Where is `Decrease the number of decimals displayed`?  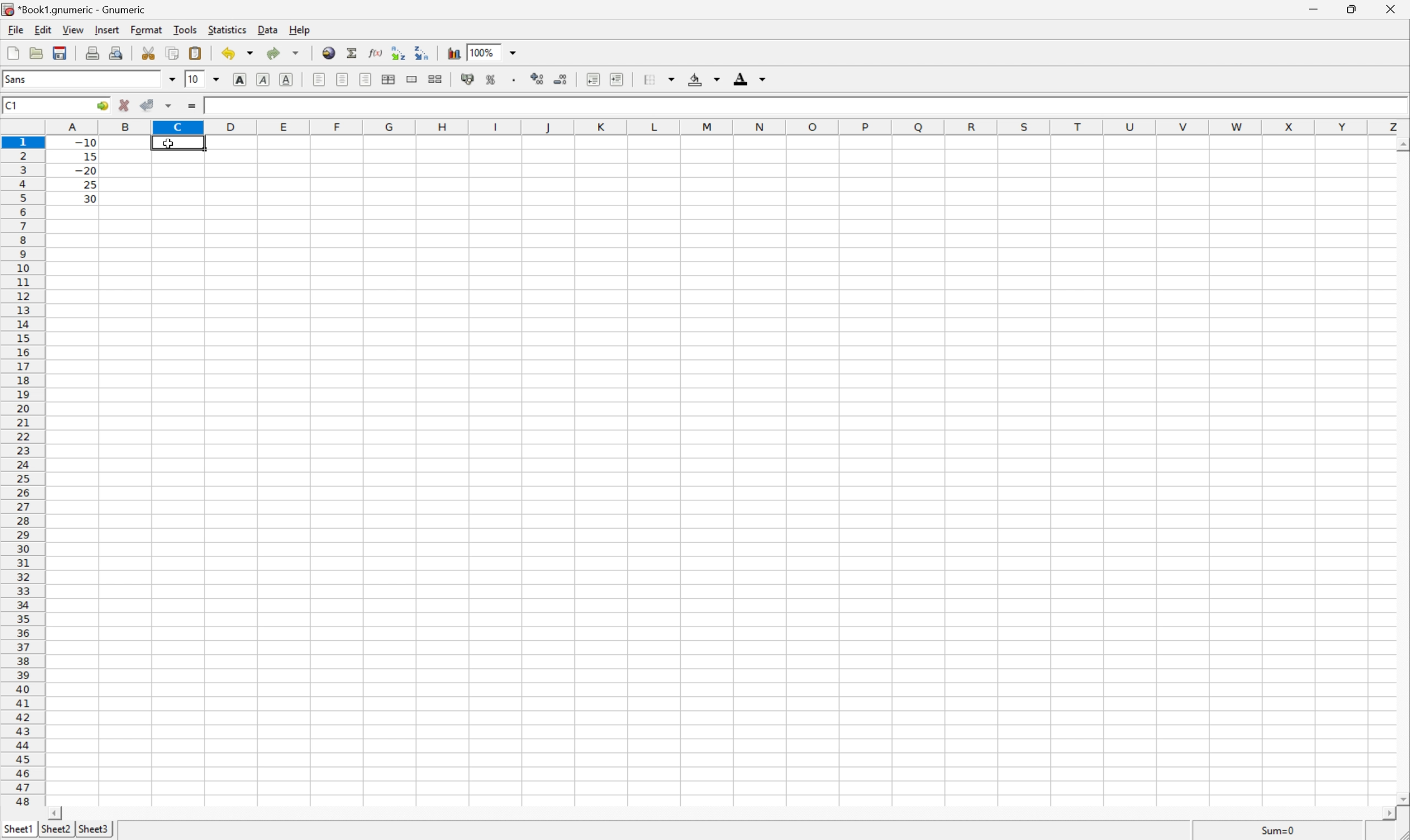
Decrease the number of decimals displayed is located at coordinates (561, 79).